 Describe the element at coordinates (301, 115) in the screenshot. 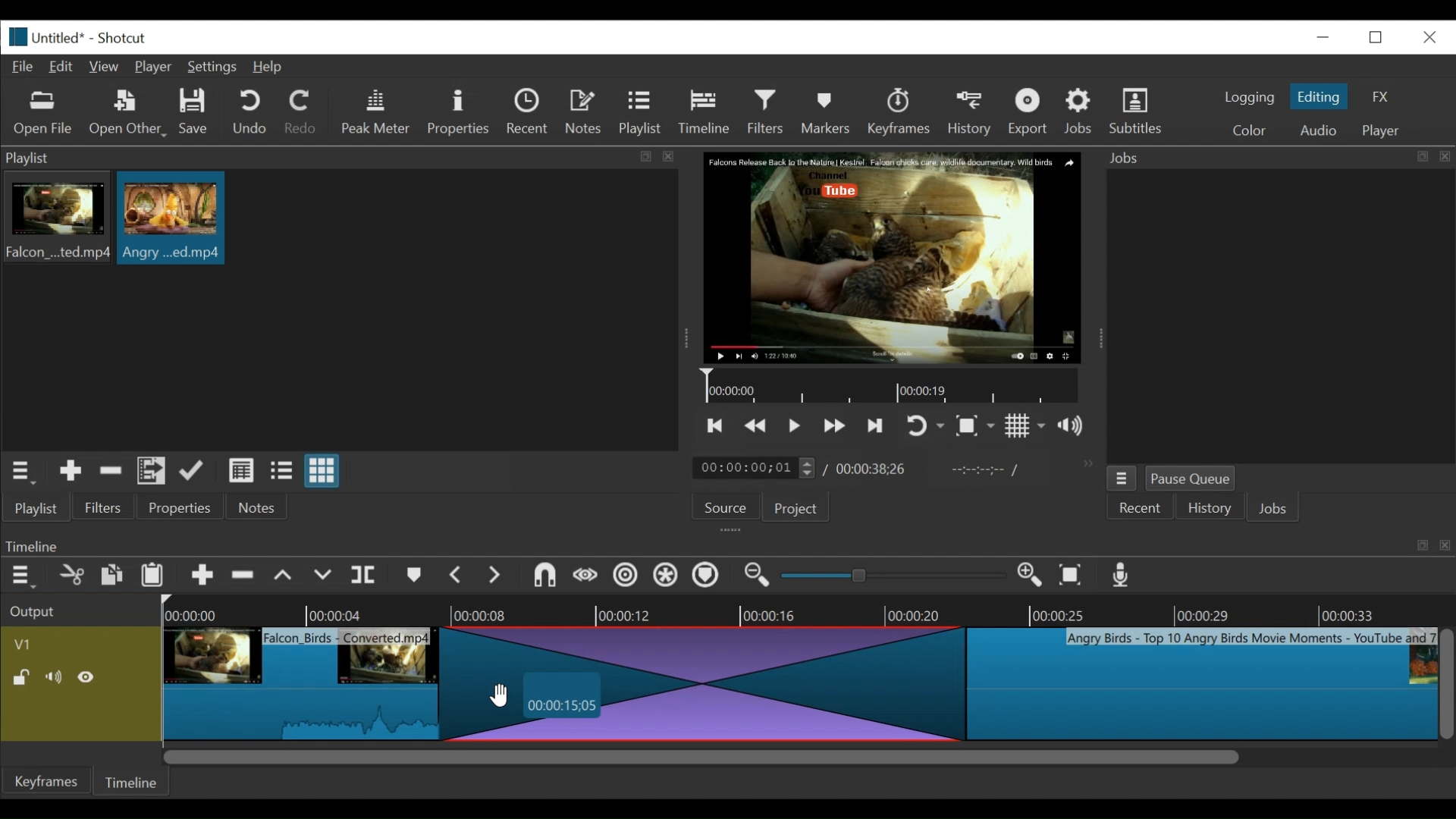

I see `Redo` at that location.